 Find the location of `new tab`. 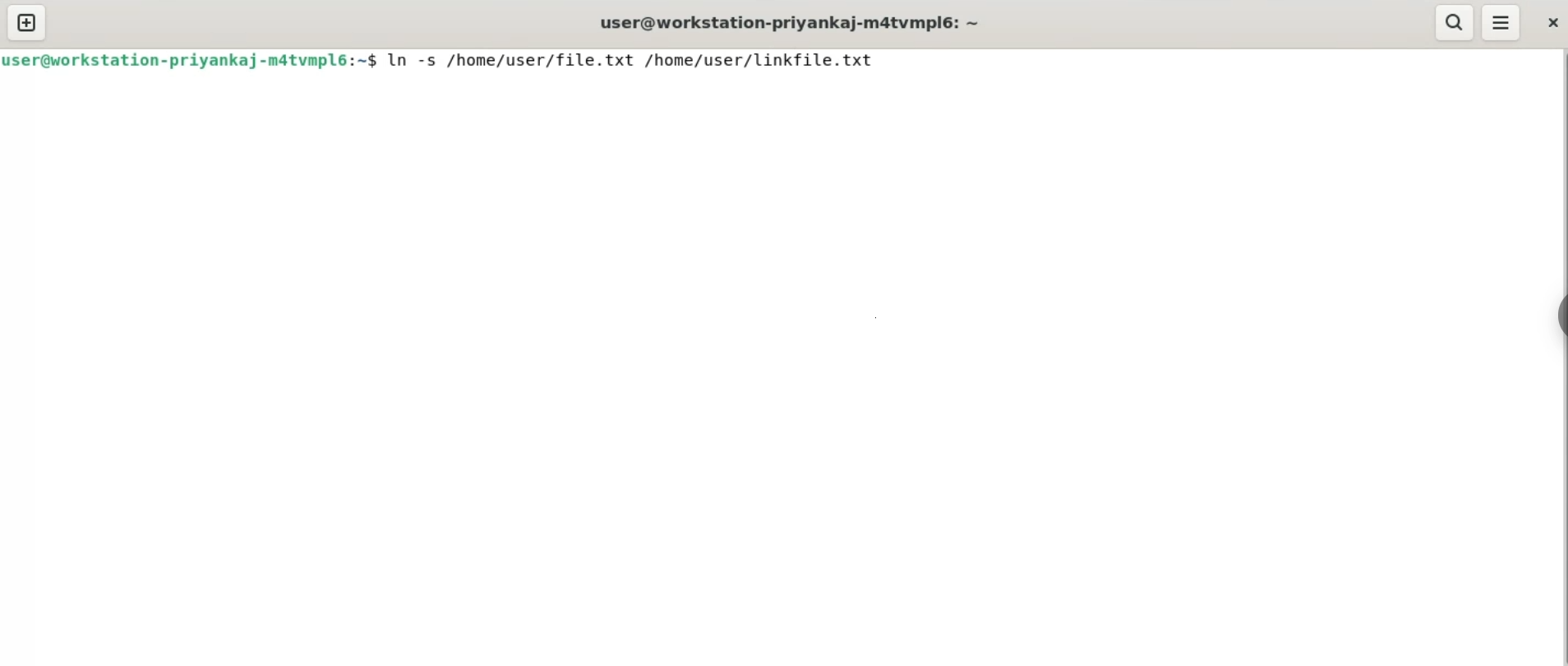

new tab is located at coordinates (27, 21).